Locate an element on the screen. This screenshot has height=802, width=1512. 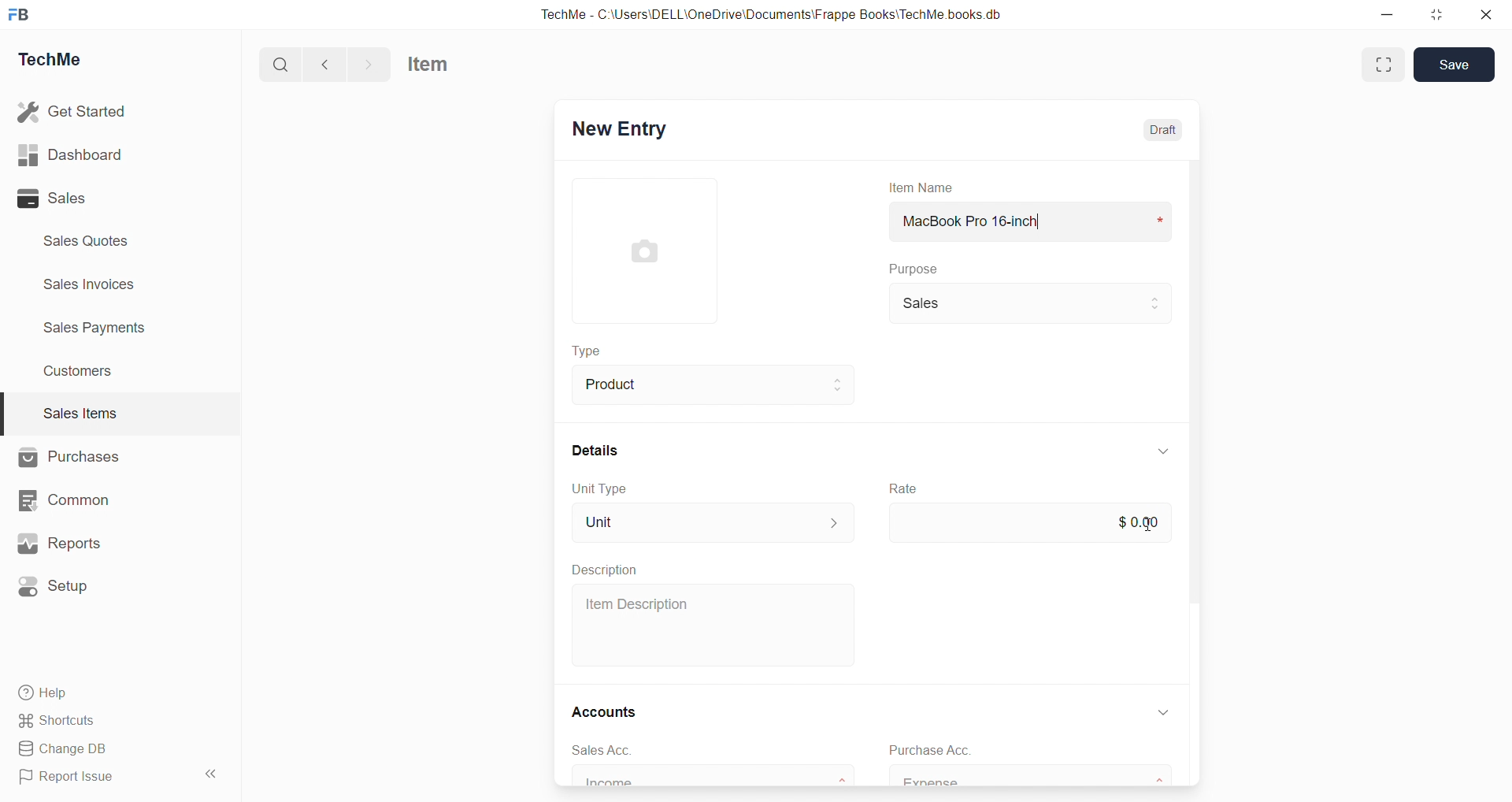
New Entry is located at coordinates (618, 130).